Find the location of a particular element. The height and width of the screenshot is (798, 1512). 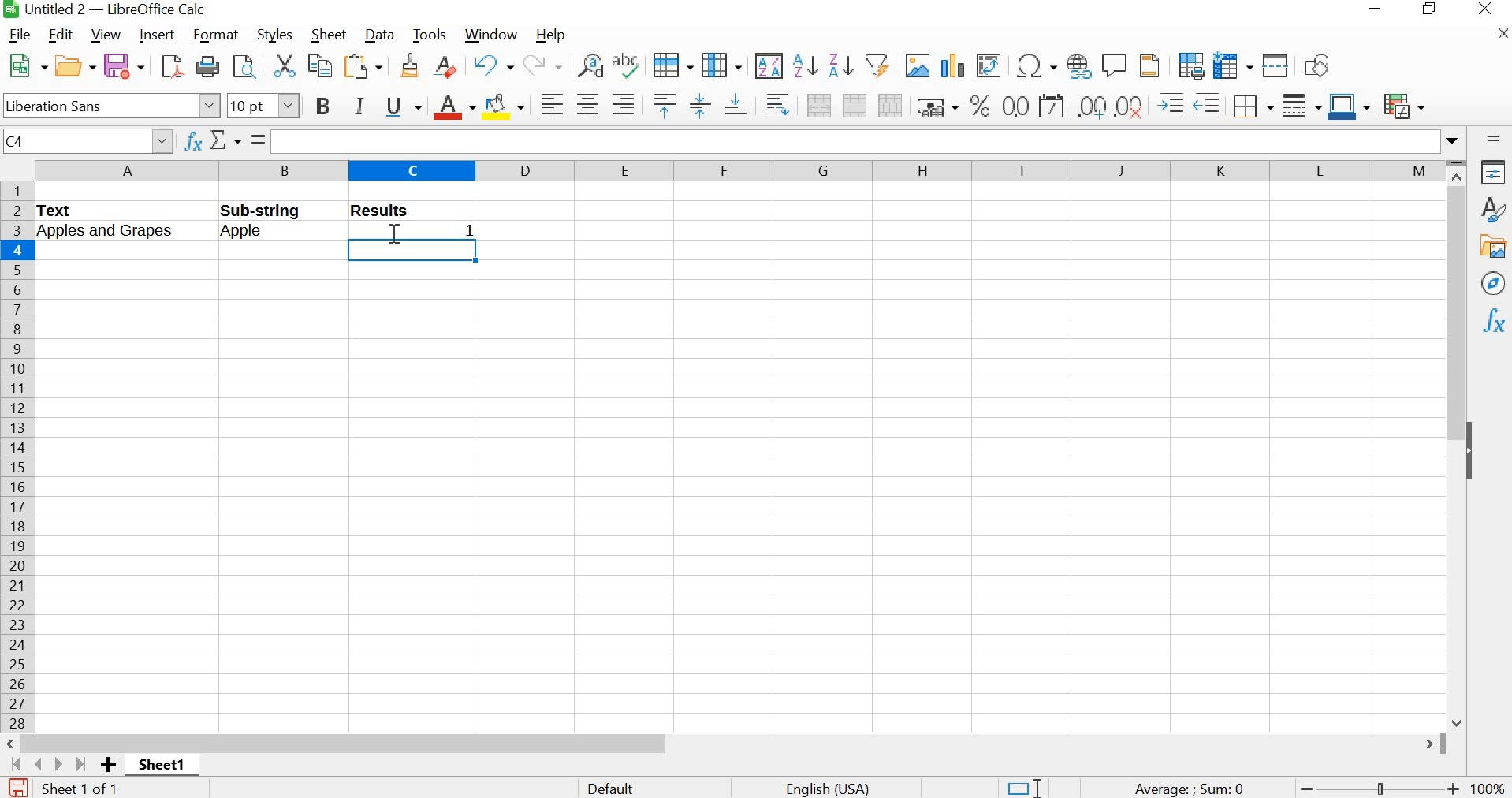

move to next sheet buttons is located at coordinates (50, 764).